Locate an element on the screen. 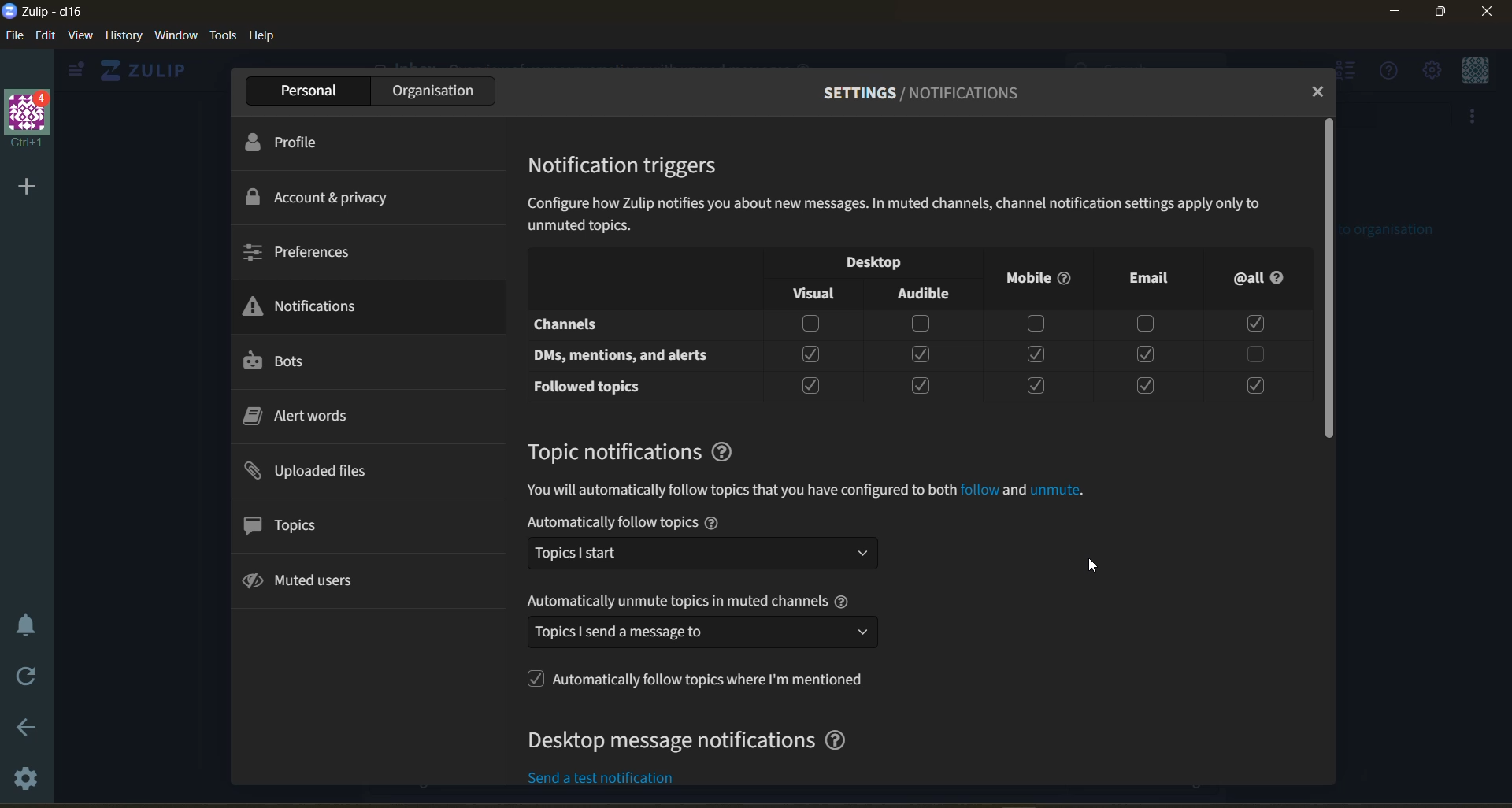  Checkbox is located at coordinates (1144, 387).